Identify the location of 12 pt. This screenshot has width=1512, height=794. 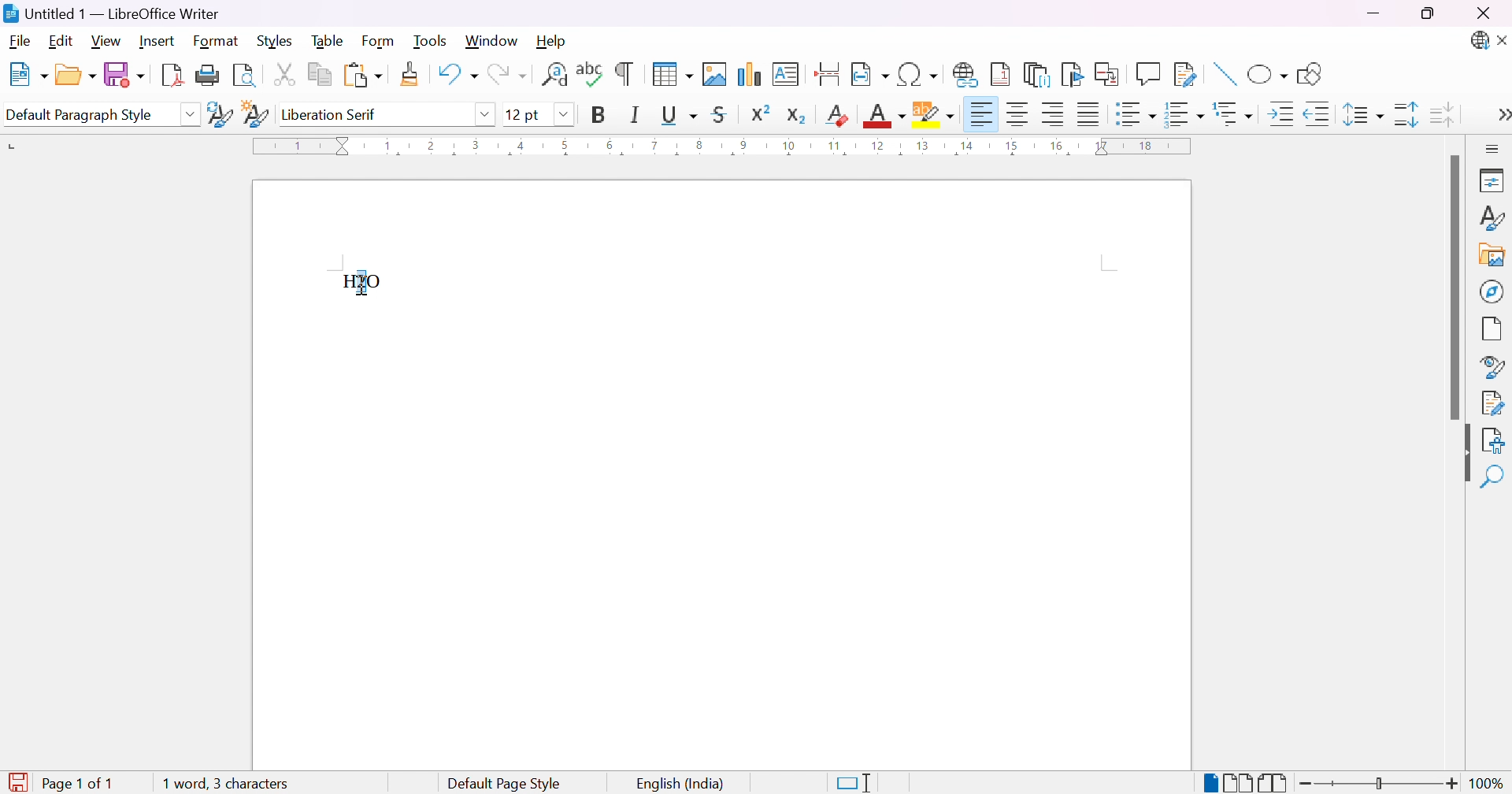
(524, 114).